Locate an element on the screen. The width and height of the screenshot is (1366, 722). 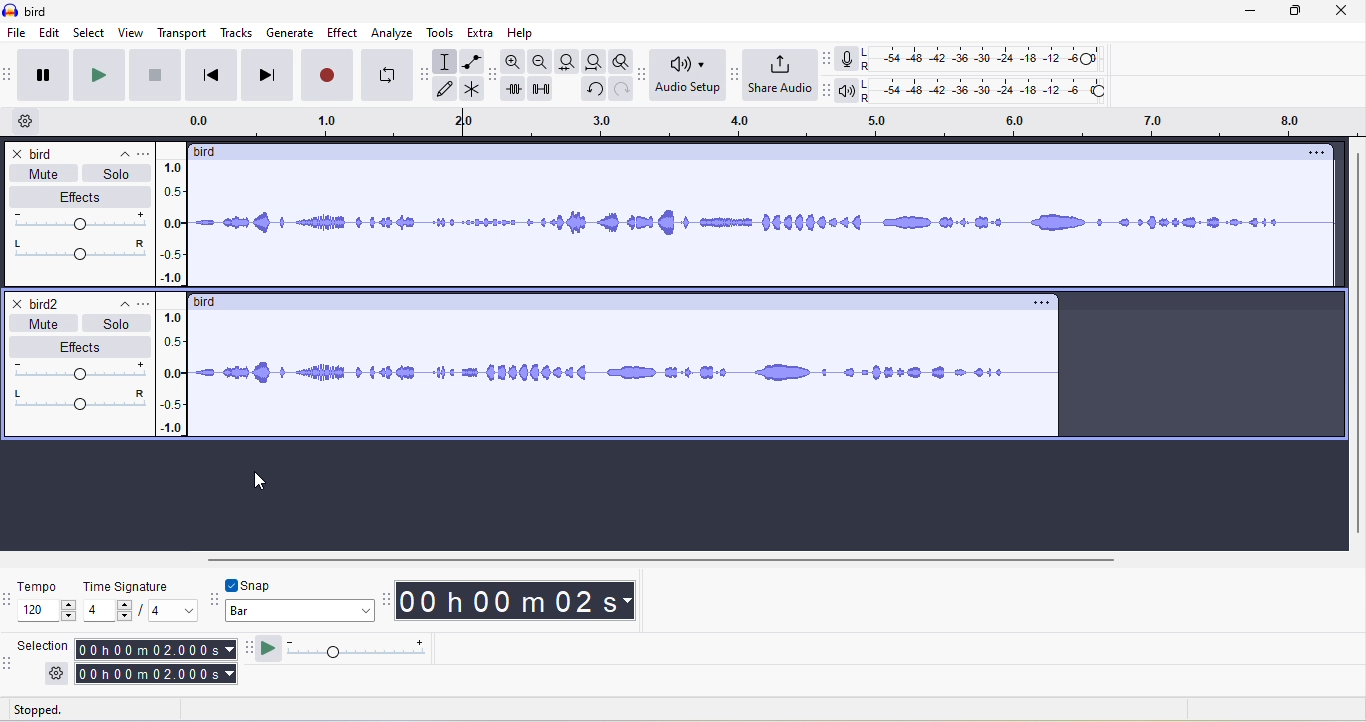
playback meter is located at coordinates (850, 93).